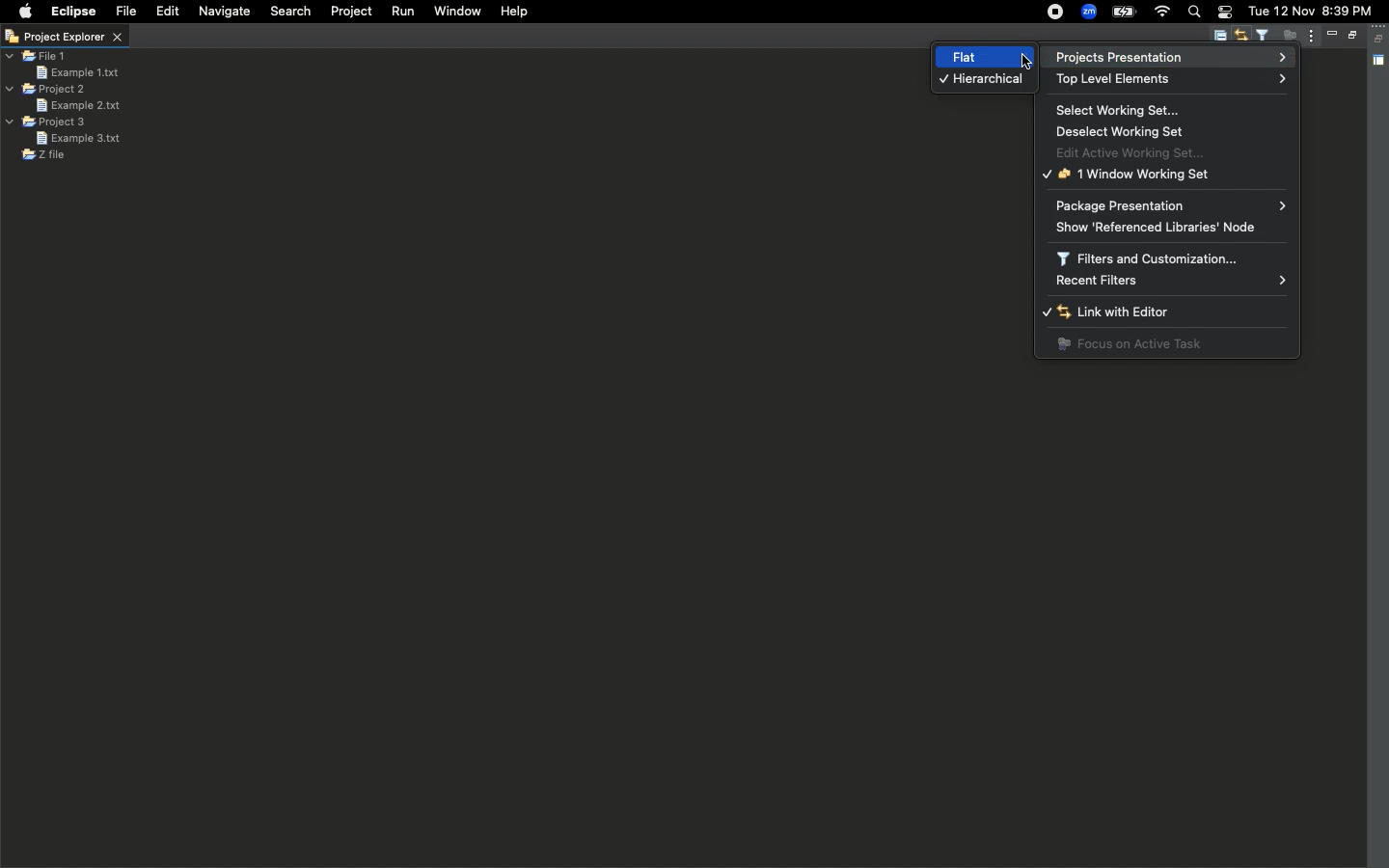 The width and height of the screenshot is (1389, 868). I want to click on Example 2 text file, so click(77, 105).